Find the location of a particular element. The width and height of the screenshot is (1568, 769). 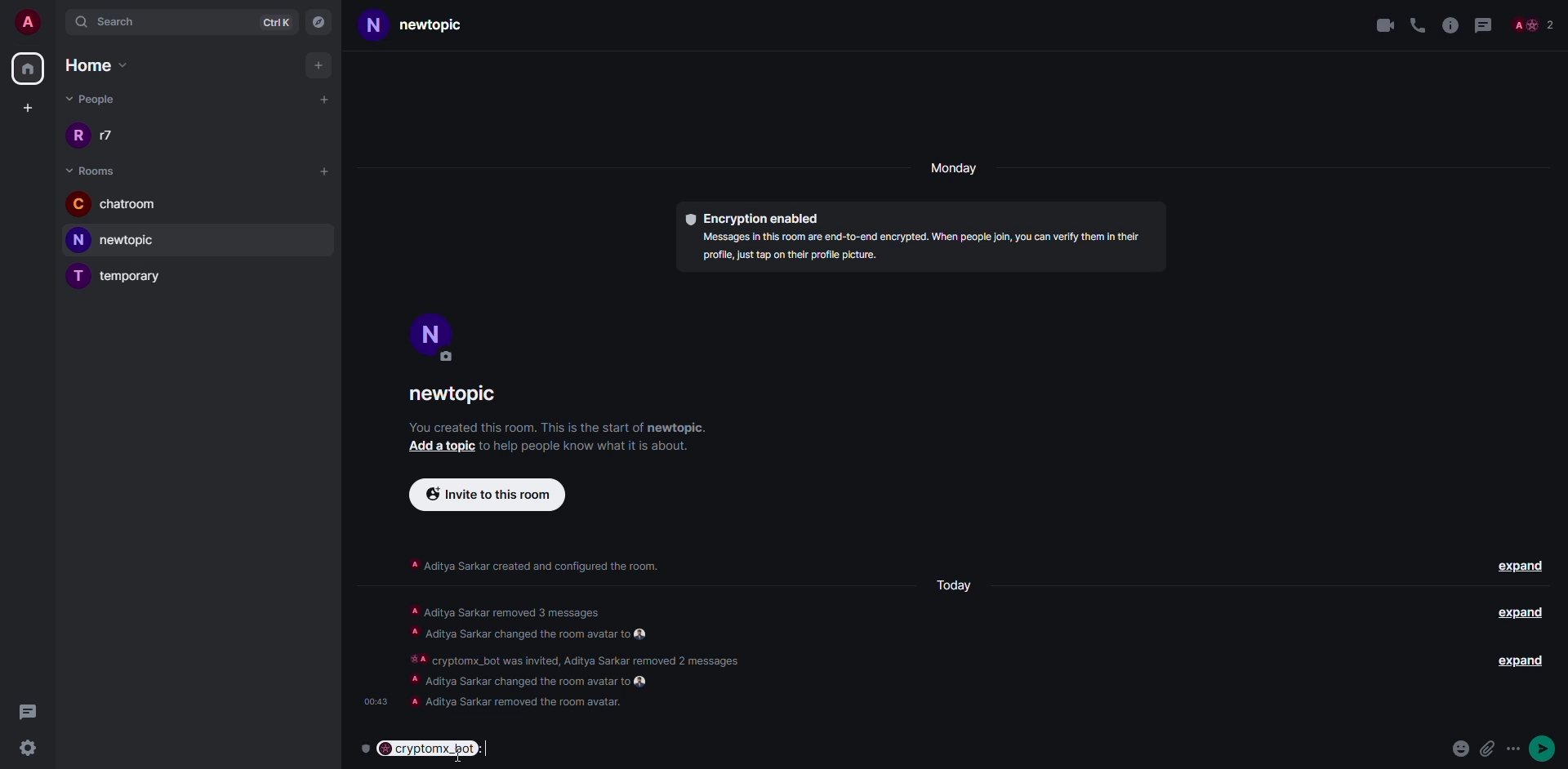

room is located at coordinates (95, 171).